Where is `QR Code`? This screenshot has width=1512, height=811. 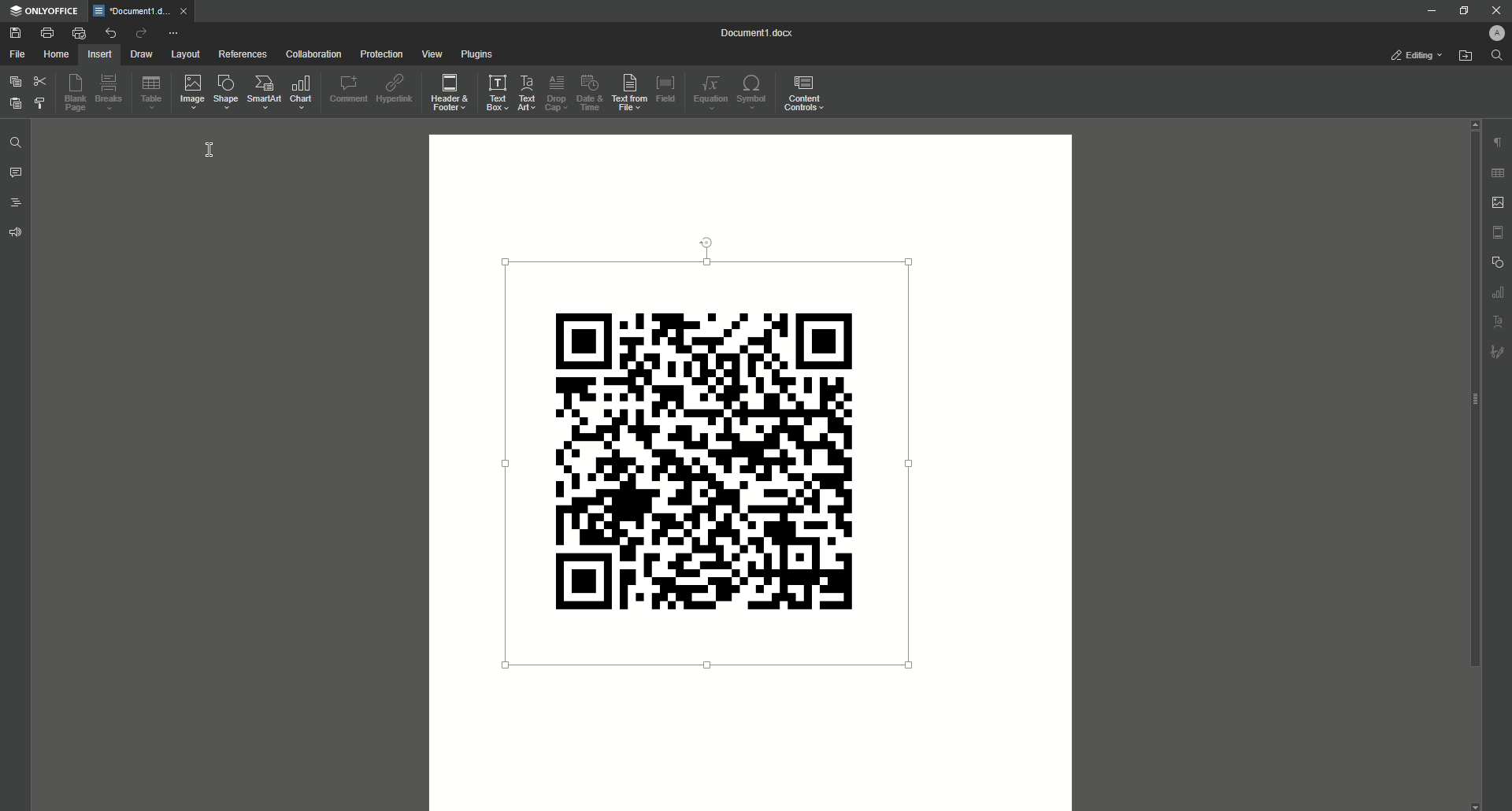 QR Code is located at coordinates (717, 458).